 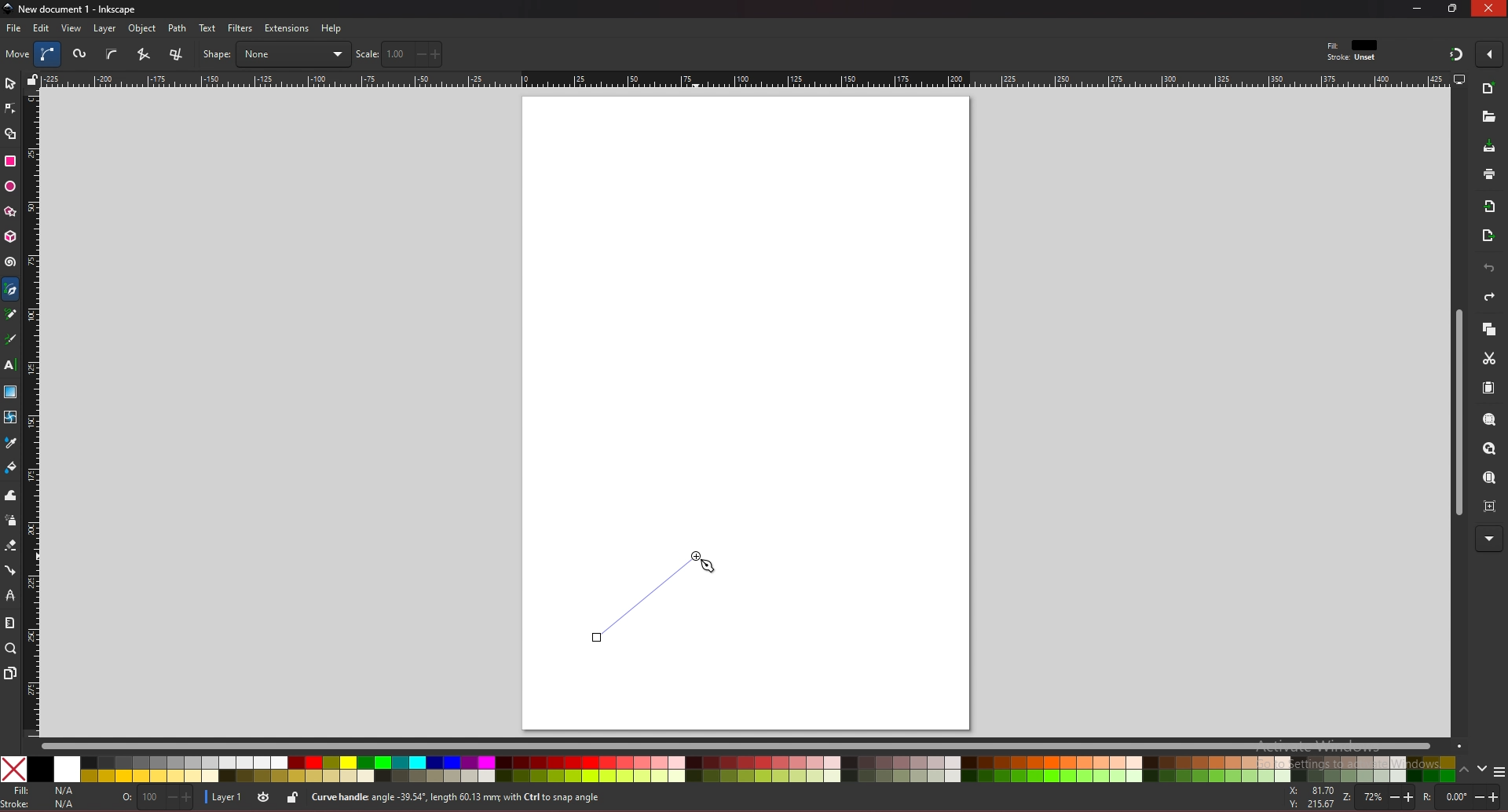 I want to click on selector, so click(x=10, y=83).